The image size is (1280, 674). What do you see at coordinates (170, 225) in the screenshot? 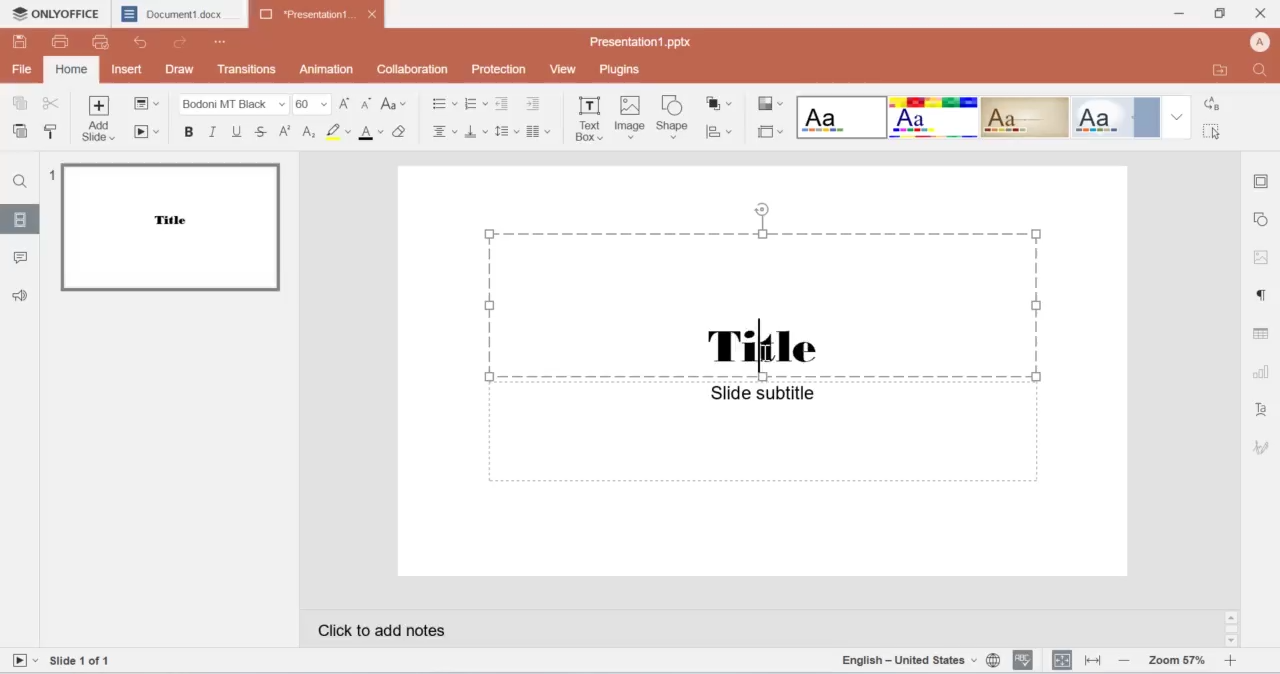
I see `preview` at bounding box center [170, 225].